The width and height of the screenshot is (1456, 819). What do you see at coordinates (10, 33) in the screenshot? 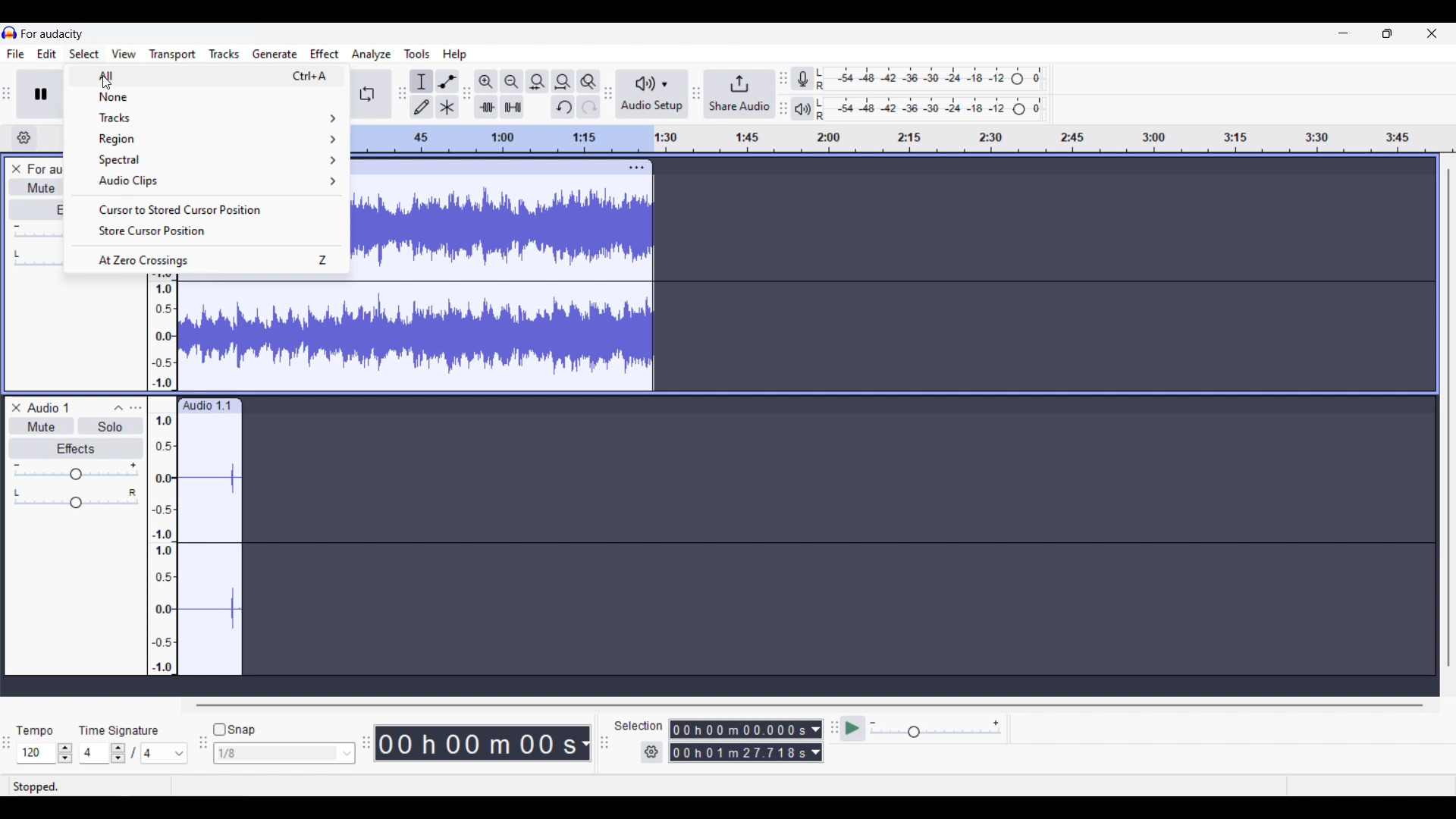
I see `Software logo` at bounding box center [10, 33].